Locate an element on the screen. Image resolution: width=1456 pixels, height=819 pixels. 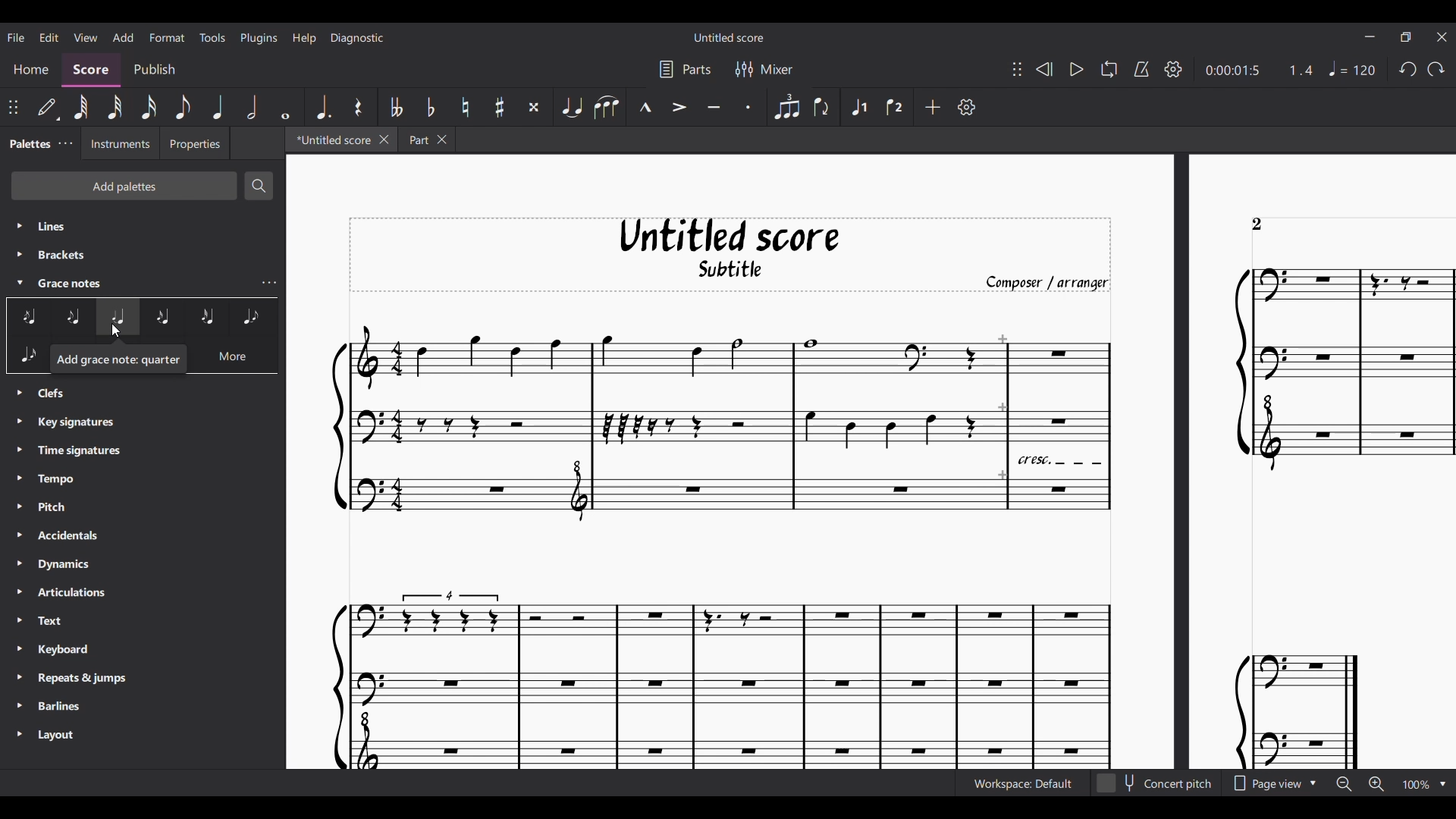
Palette list is located at coordinates (149, 570).